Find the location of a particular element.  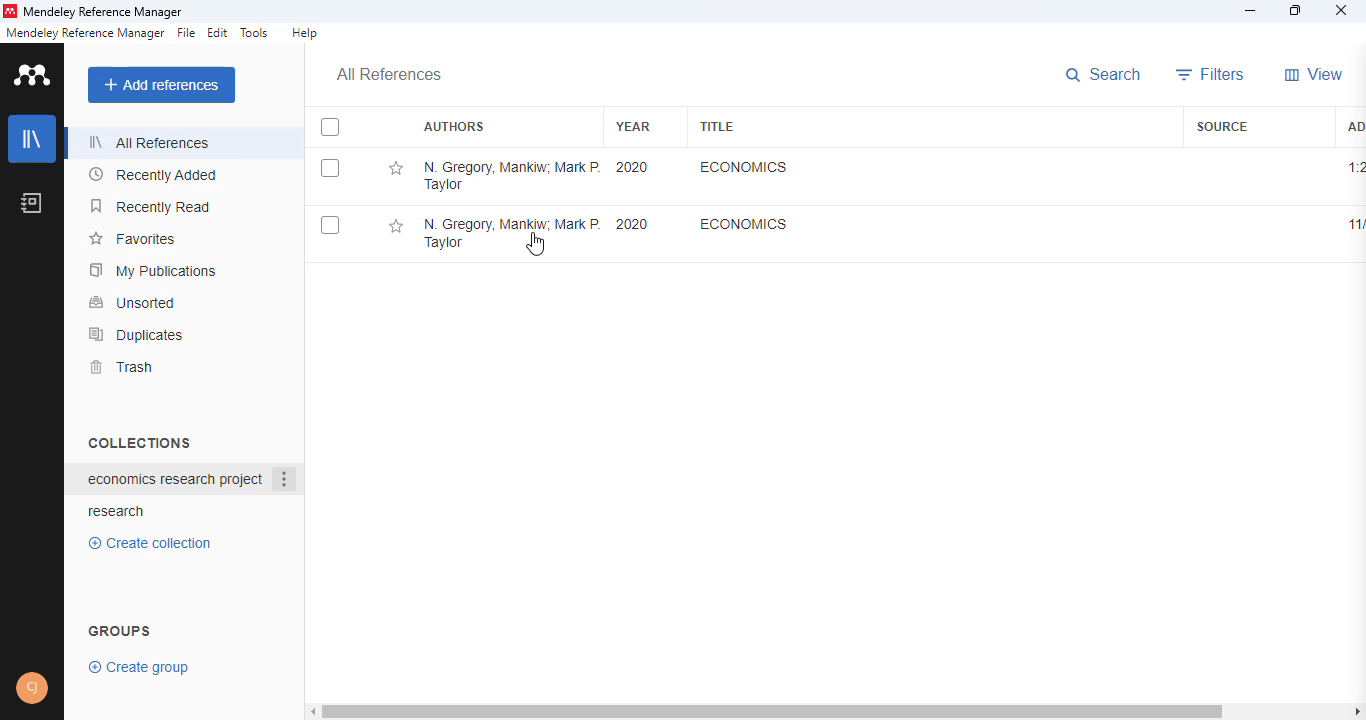

add this reference to favorites is located at coordinates (395, 227).